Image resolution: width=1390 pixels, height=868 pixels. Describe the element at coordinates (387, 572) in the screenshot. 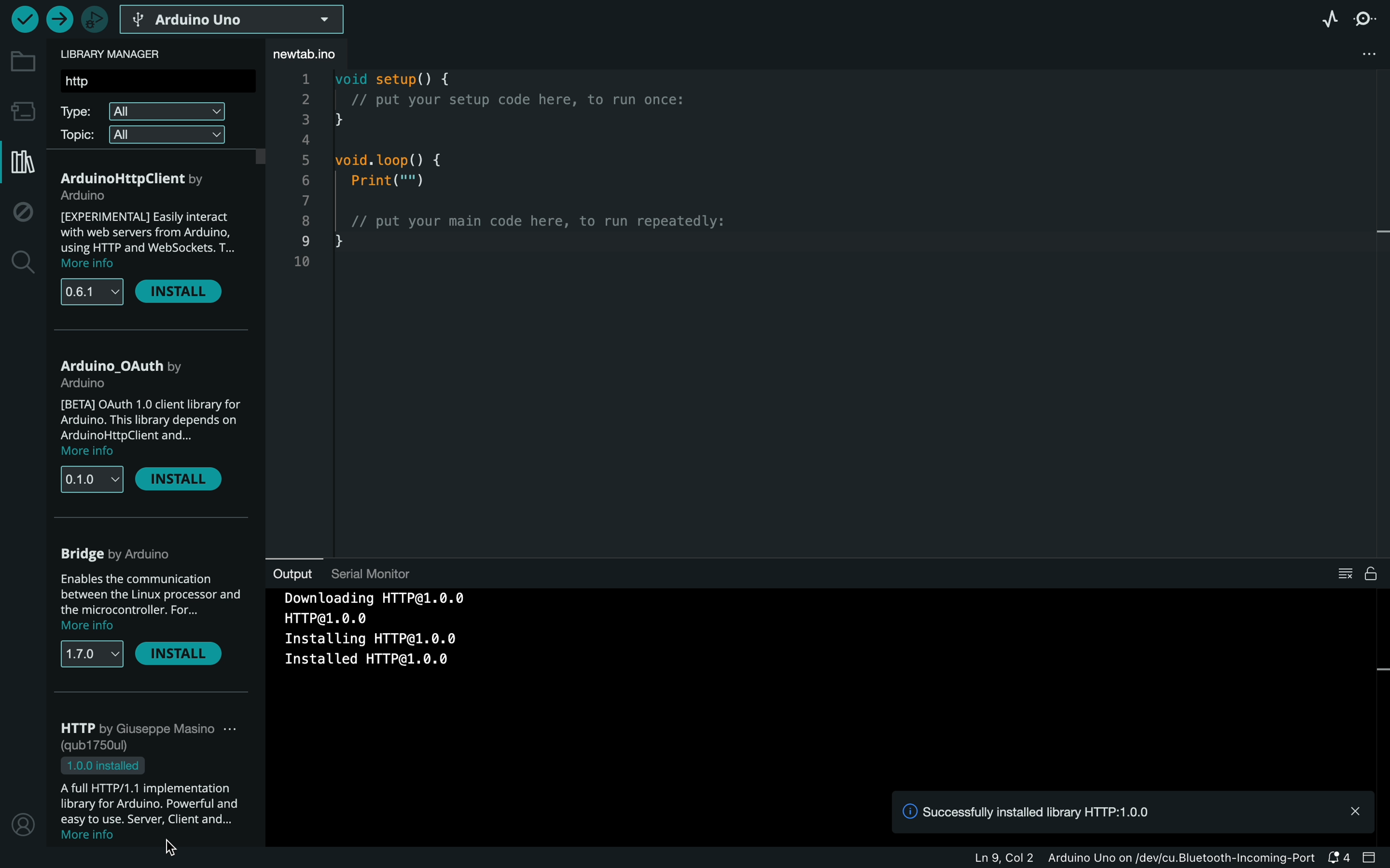

I see `serial monitor` at that location.